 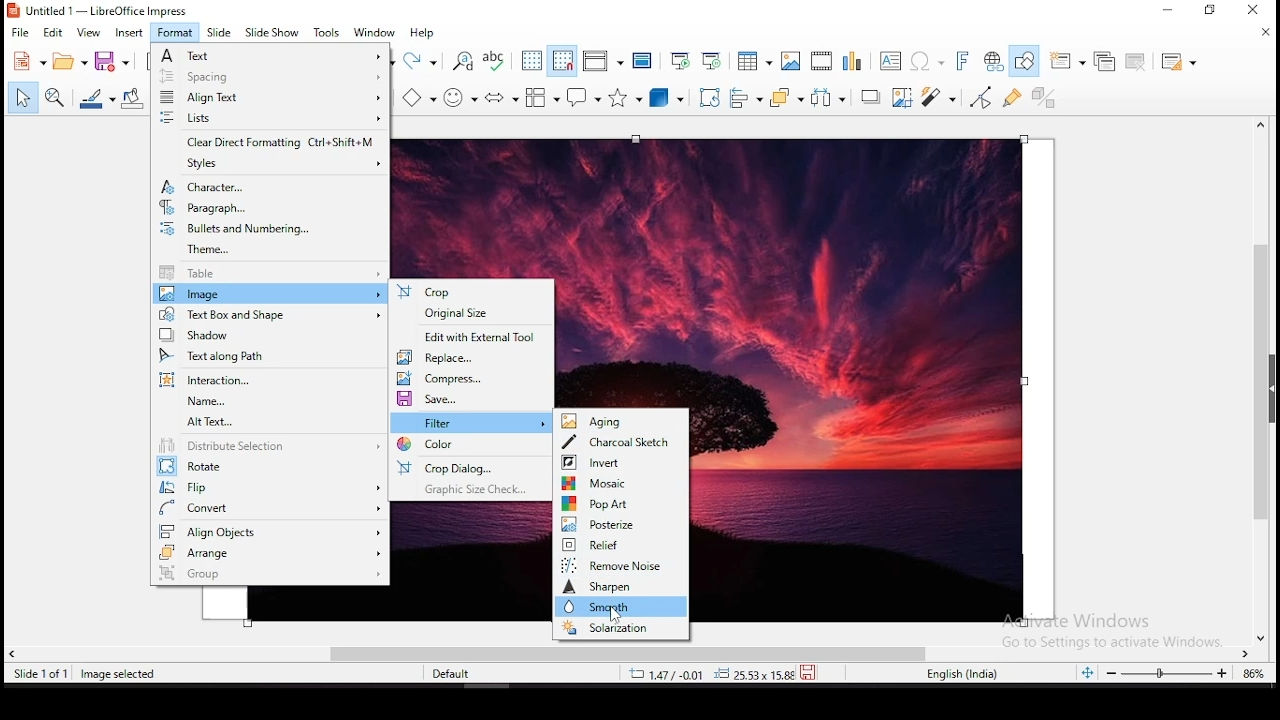 What do you see at coordinates (473, 358) in the screenshot?
I see `replace` at bounding box center [473, 358].